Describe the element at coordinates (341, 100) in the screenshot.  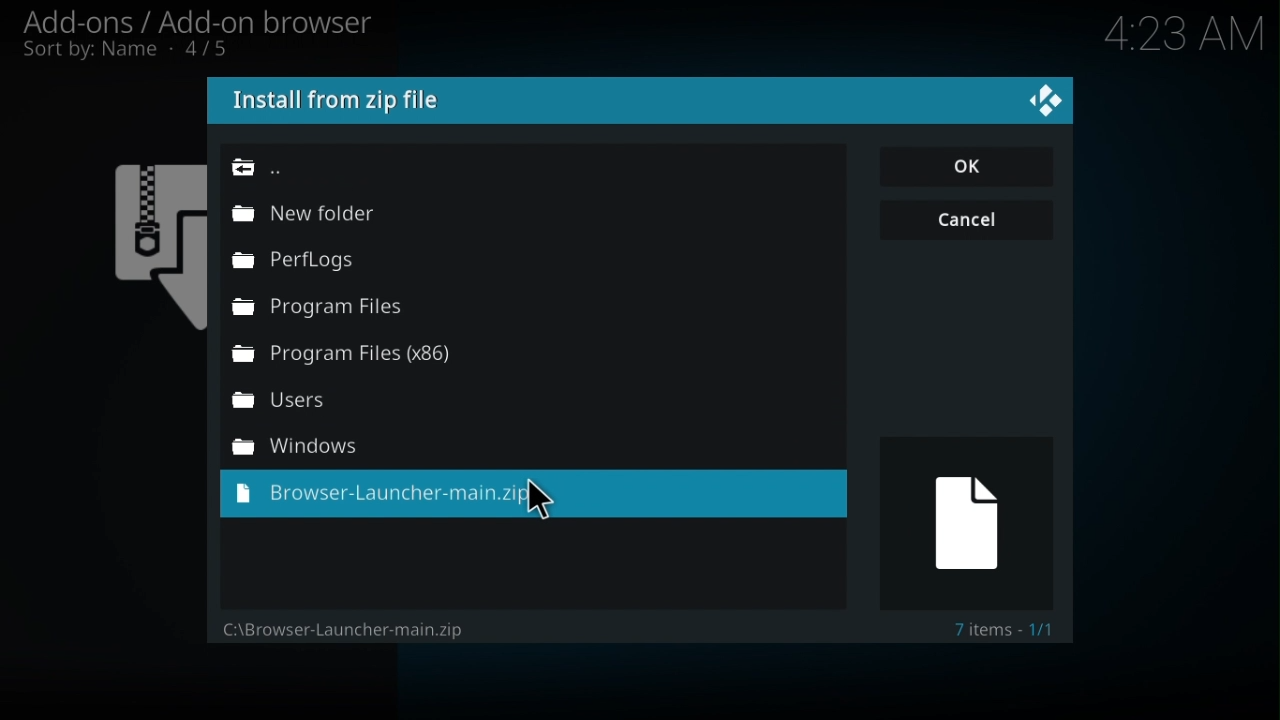
I see `install from zip file` at that location.